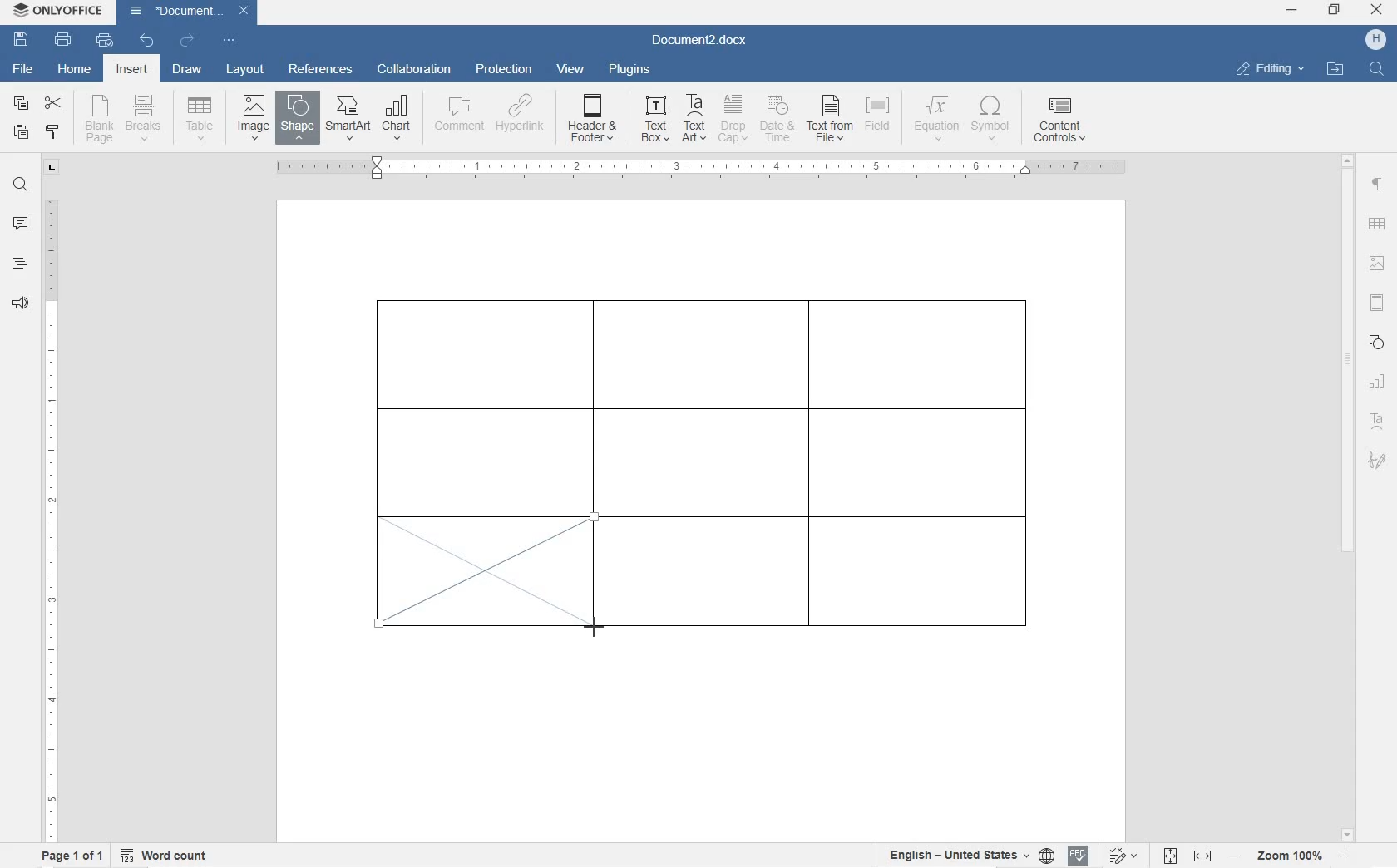 This screenshot has height=868, width=1397. Describe the element at coordinates (937, 119) in the screenshot. I see `EQUATION` at that location.